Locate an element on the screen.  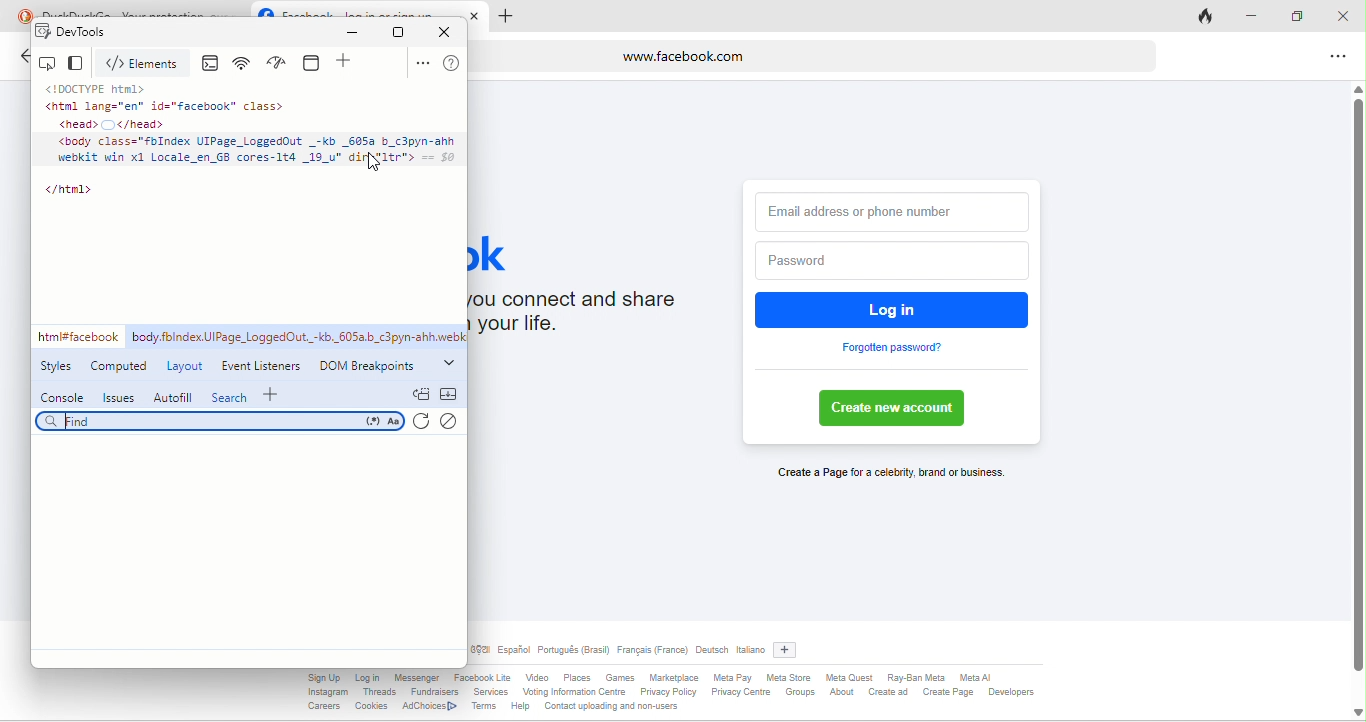
close tab and clear data is located at coordinates (1208, 15).